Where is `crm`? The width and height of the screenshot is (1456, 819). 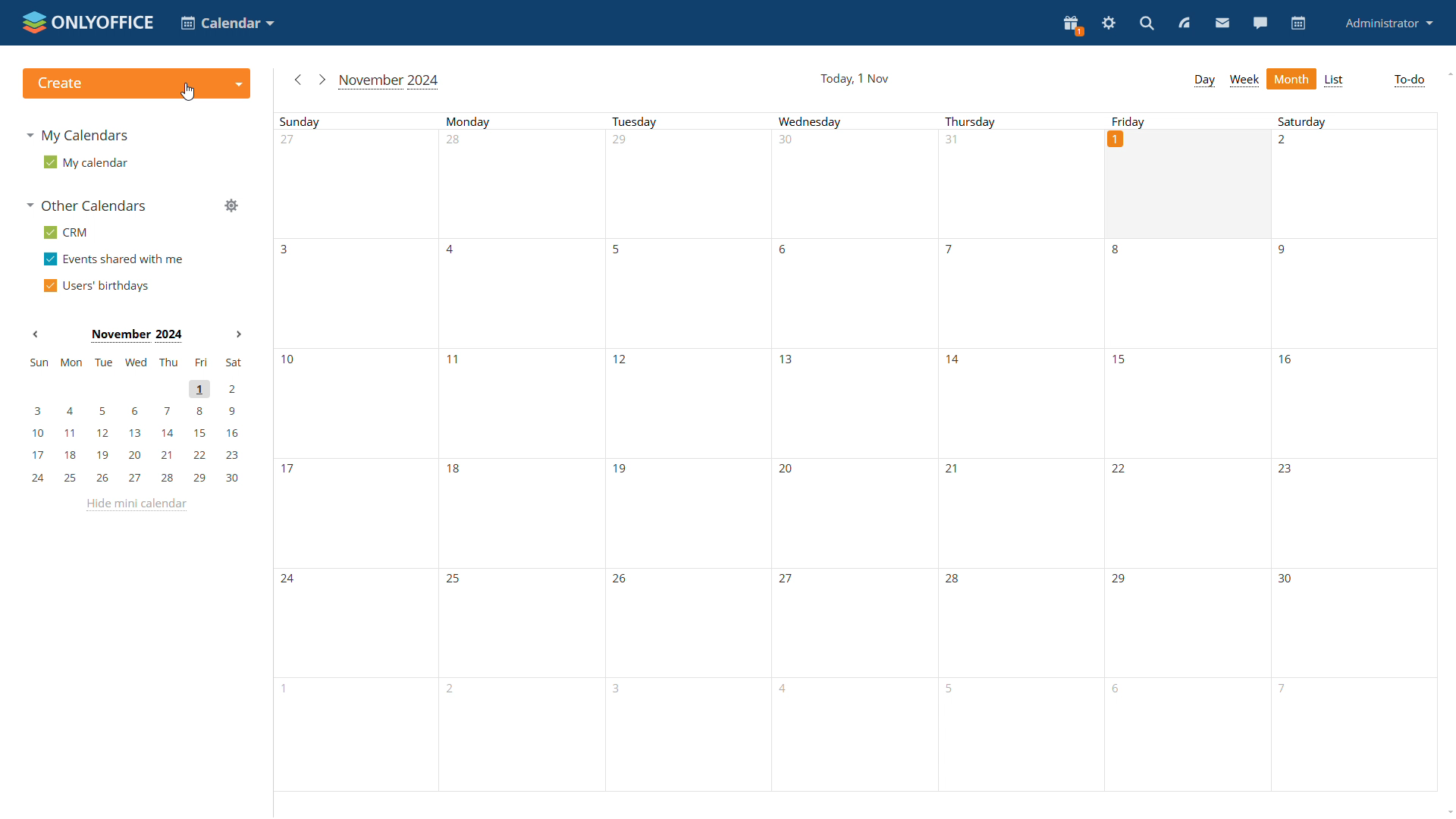
crm is located at coordinates (67, 232).